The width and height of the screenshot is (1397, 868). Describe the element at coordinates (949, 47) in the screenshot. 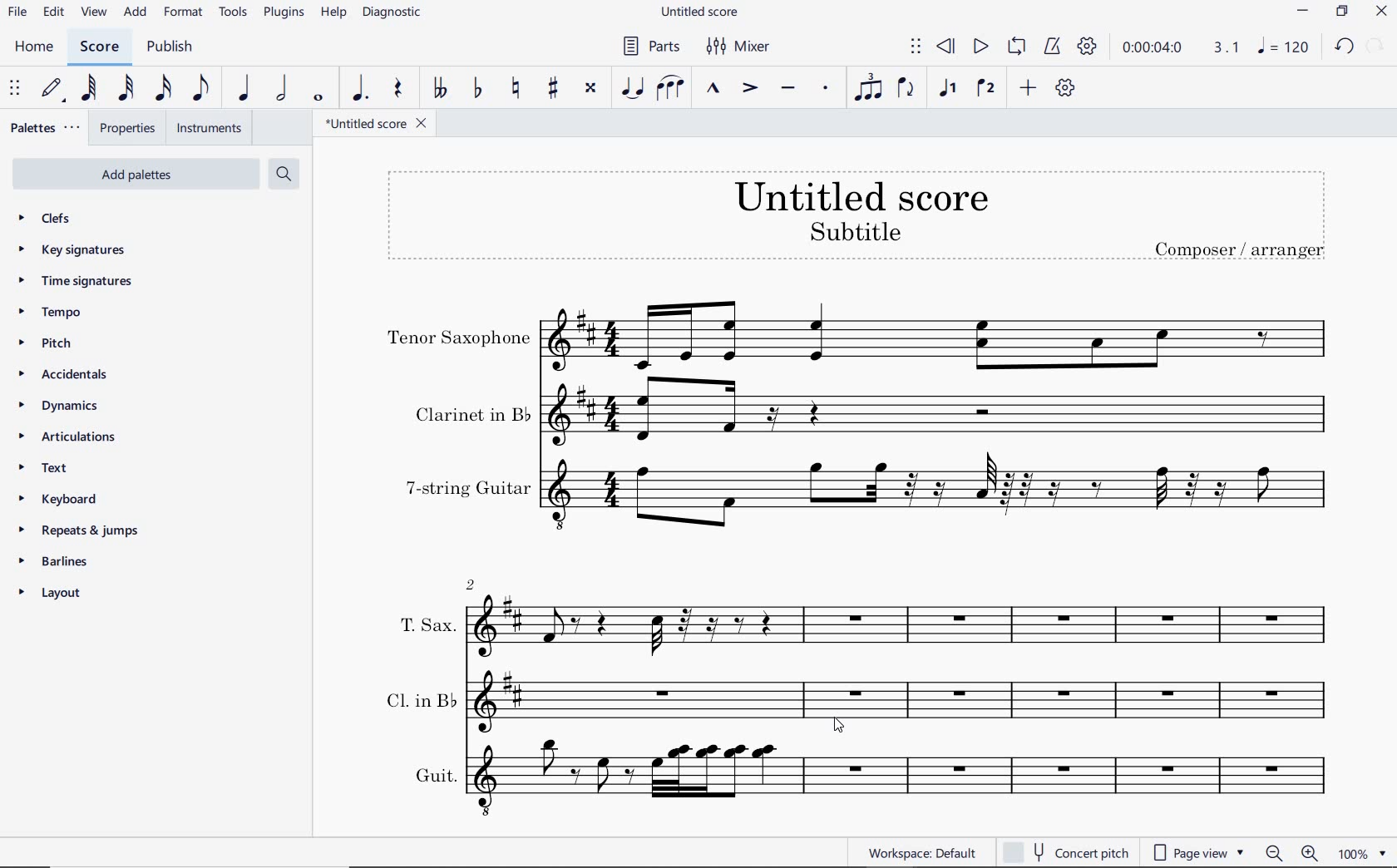

I see `REWIND` at that location.